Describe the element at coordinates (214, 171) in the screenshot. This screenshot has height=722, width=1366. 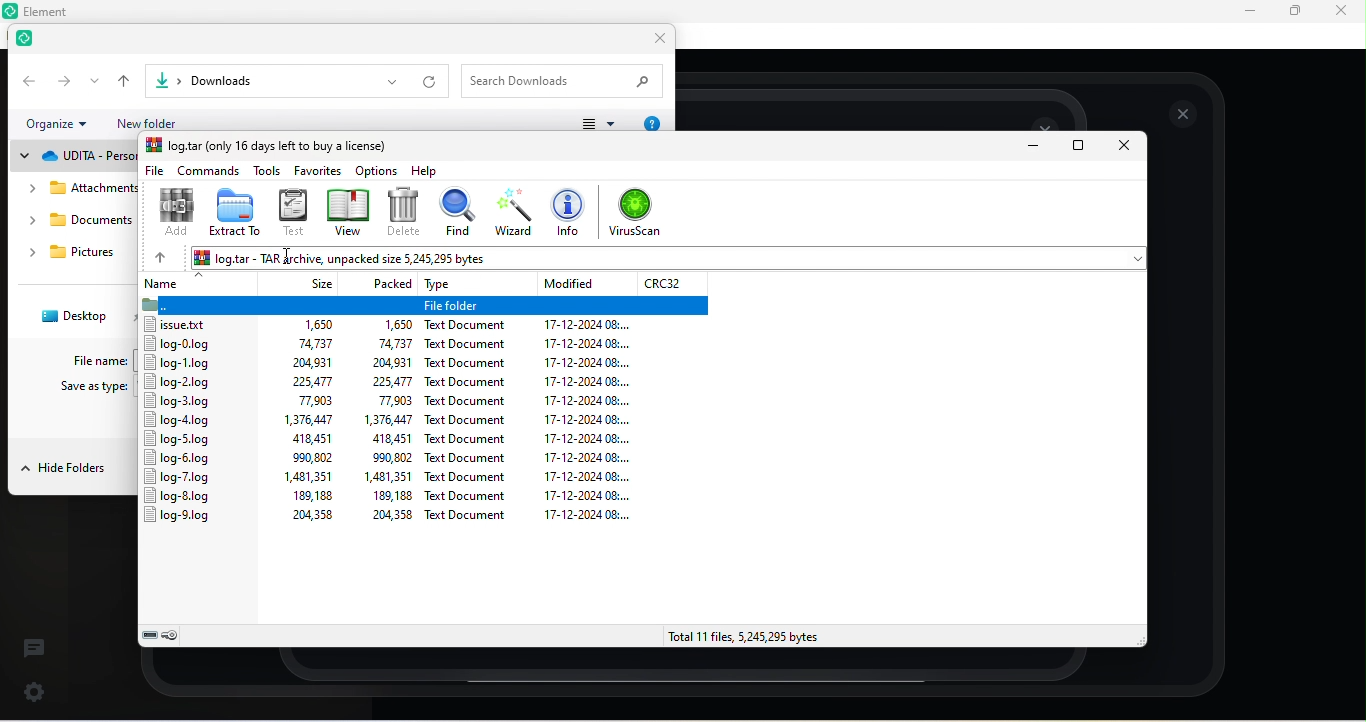
I see `commands` at that location.